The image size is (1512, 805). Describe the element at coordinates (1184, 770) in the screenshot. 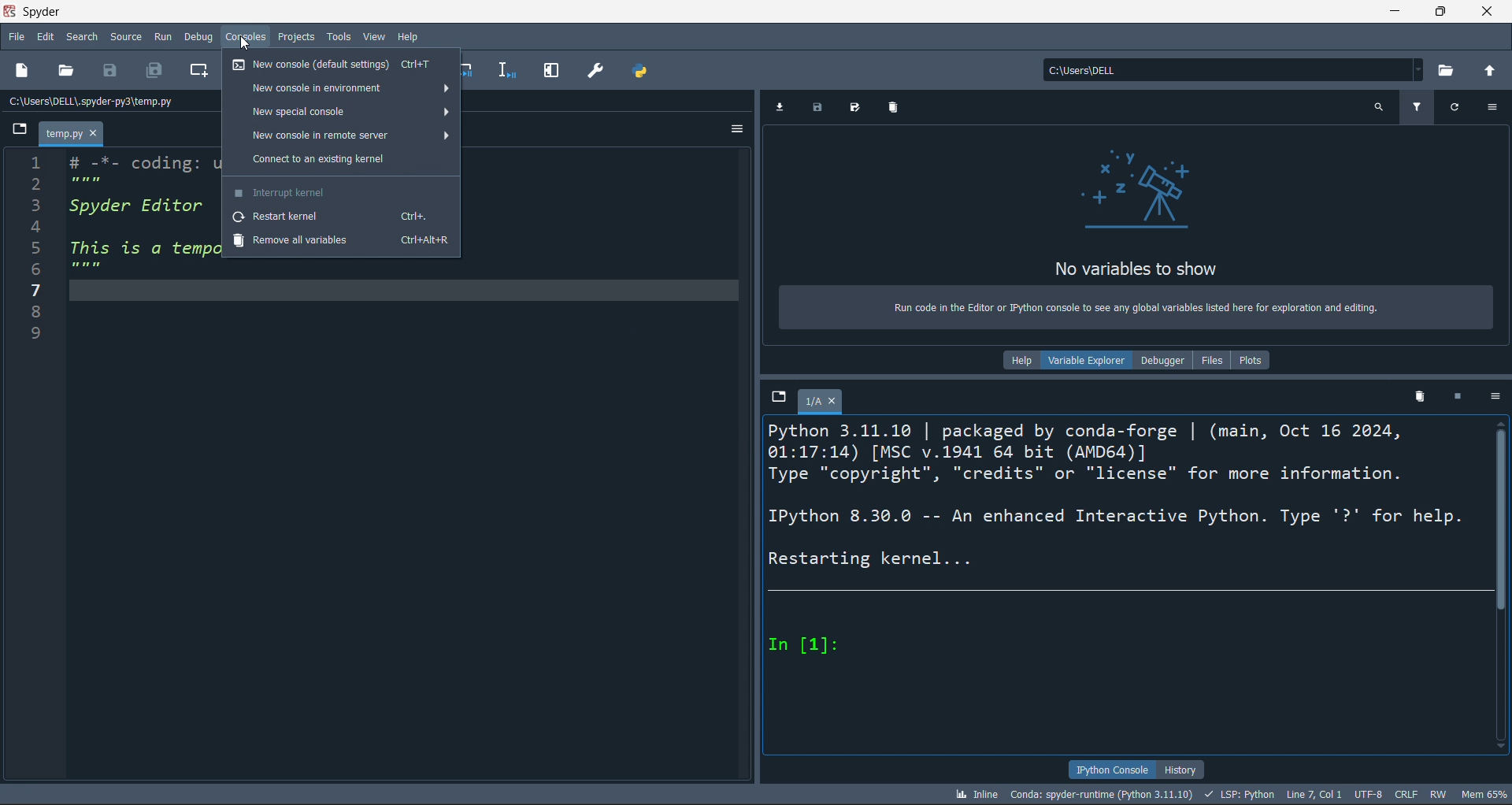

I see `history` at that location.